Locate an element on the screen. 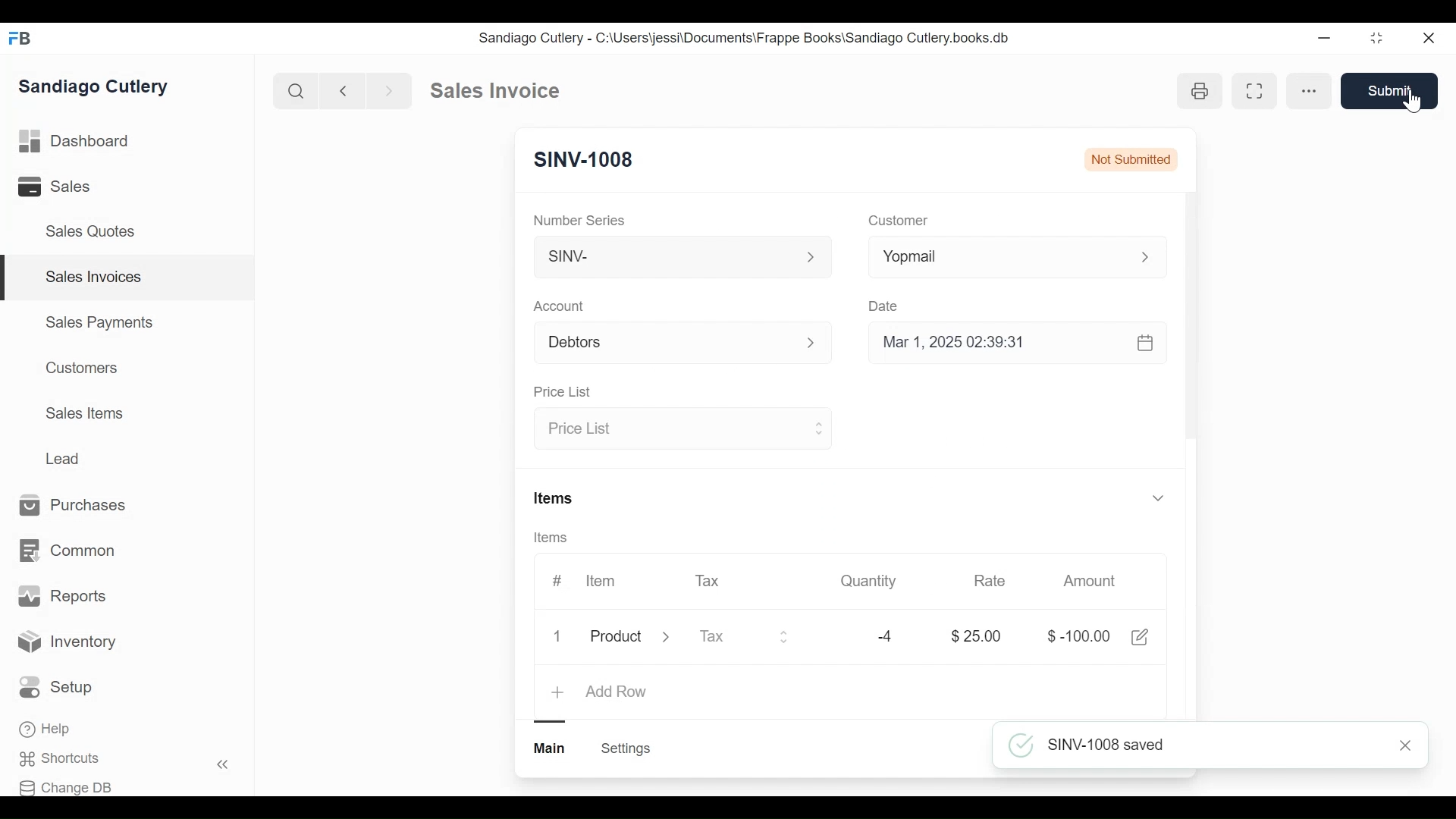 The height and width of the screenshot is (819, 1456). SINV-1008 saved is located at coordinates (1087, 743).